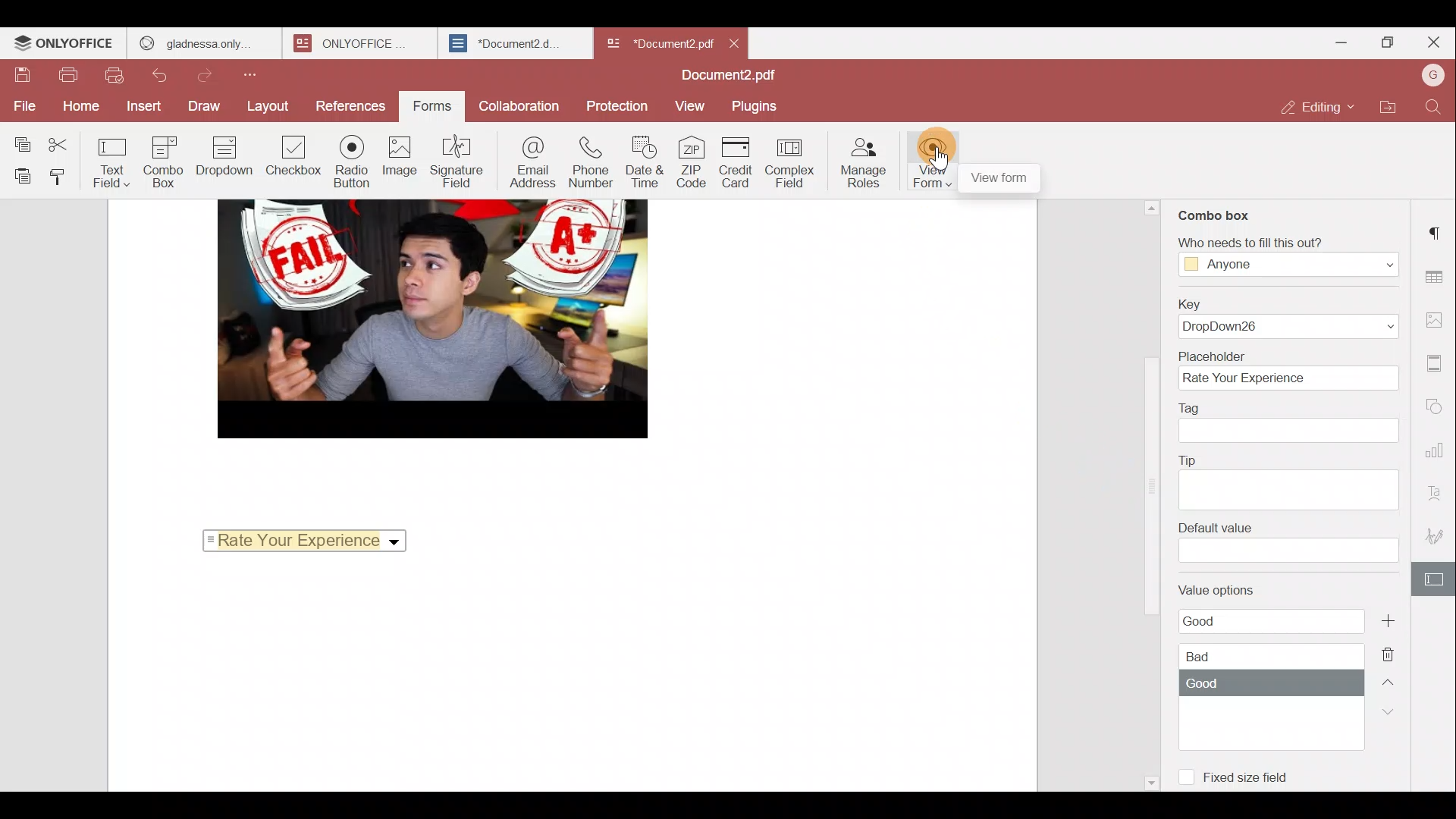  What do you see at coordinates (1439, 452) in the screenshot?
I see `Chart settings` at bounding box center [1439, 452].